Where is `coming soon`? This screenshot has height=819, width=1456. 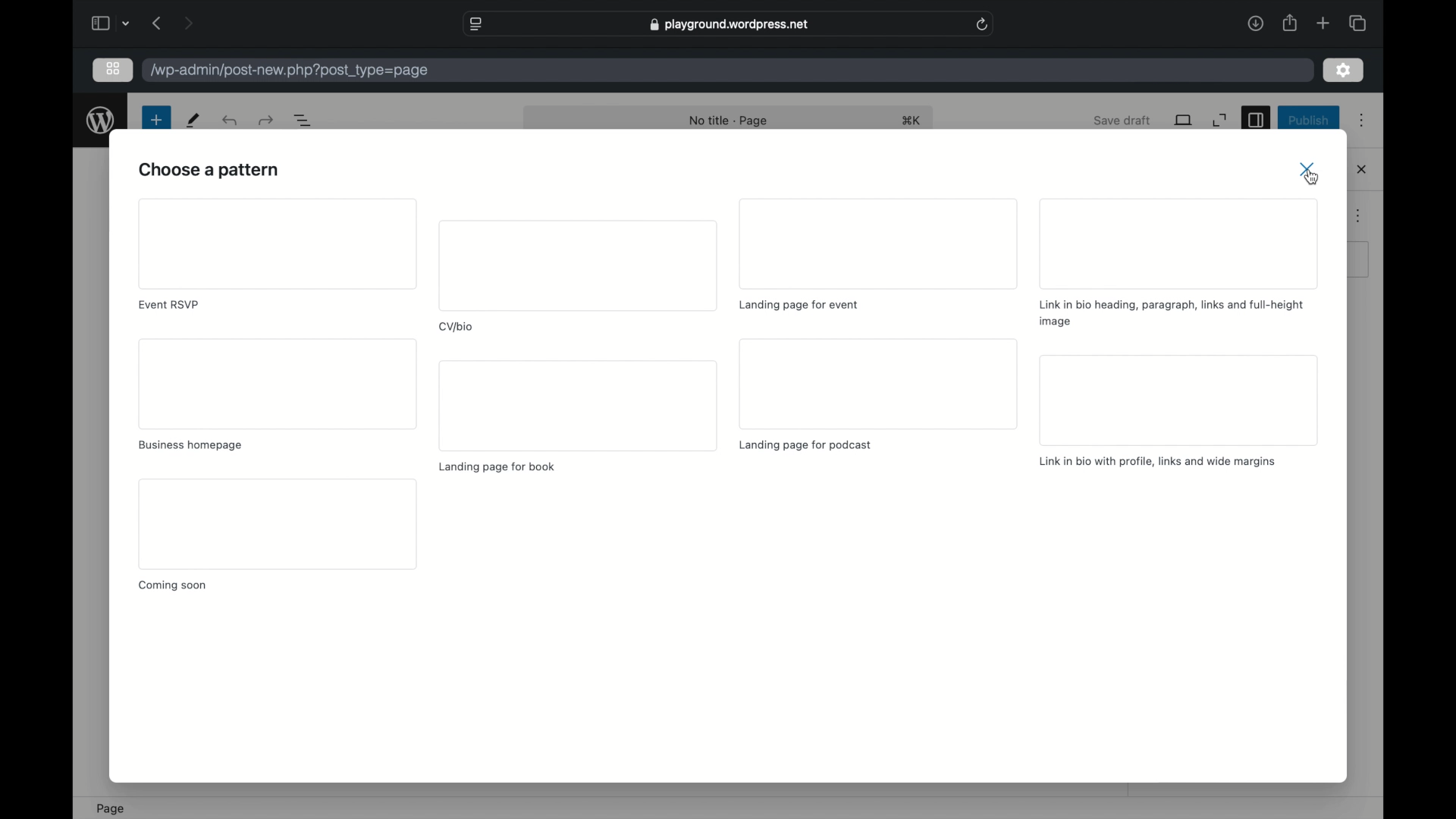
coming soon is located at coordinates (173, 585).